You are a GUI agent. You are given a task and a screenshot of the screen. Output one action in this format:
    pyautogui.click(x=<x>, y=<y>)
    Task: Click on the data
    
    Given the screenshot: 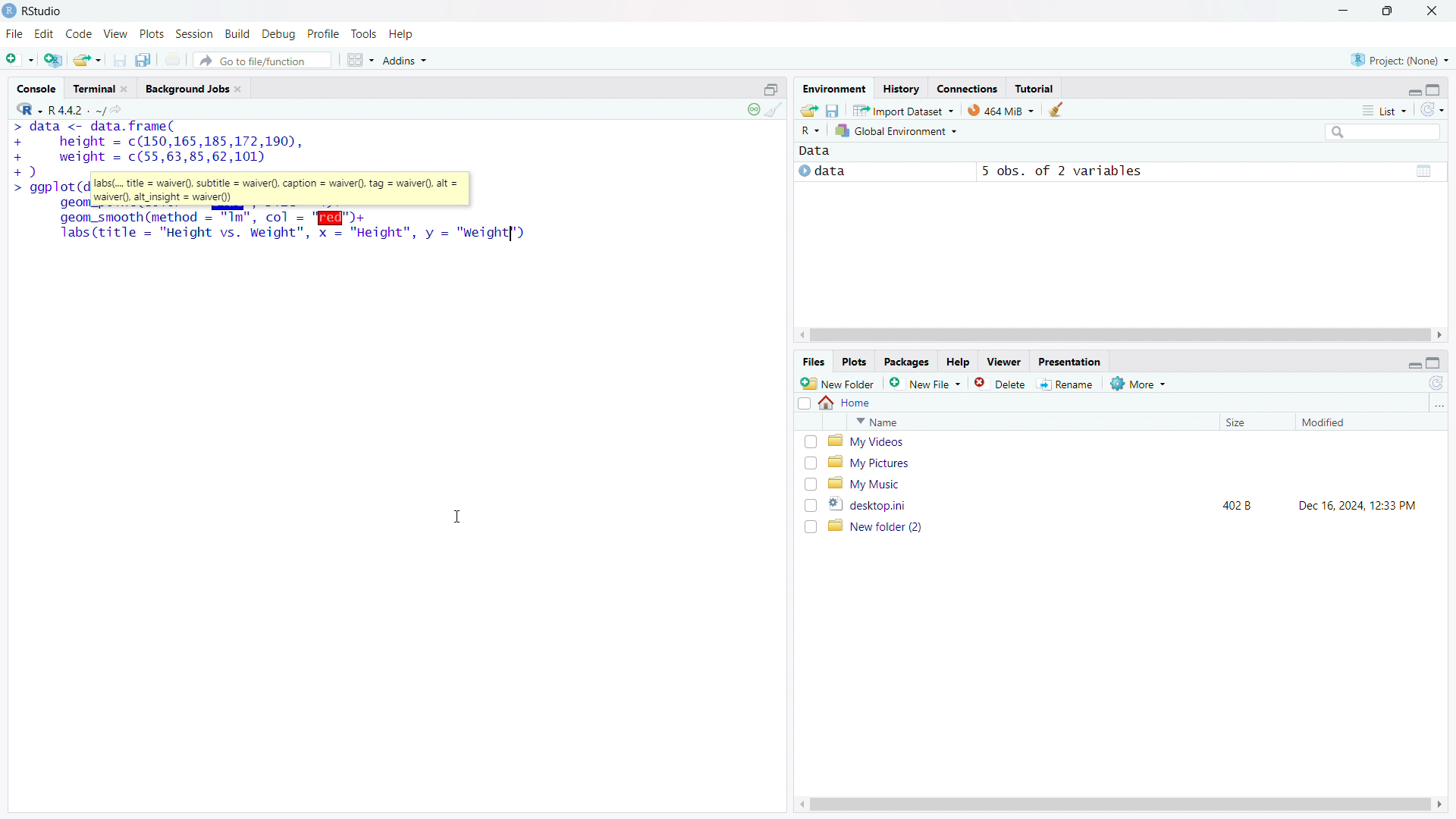 What is the action you would take?
    pyautogui.click(x=814, y=152)
    